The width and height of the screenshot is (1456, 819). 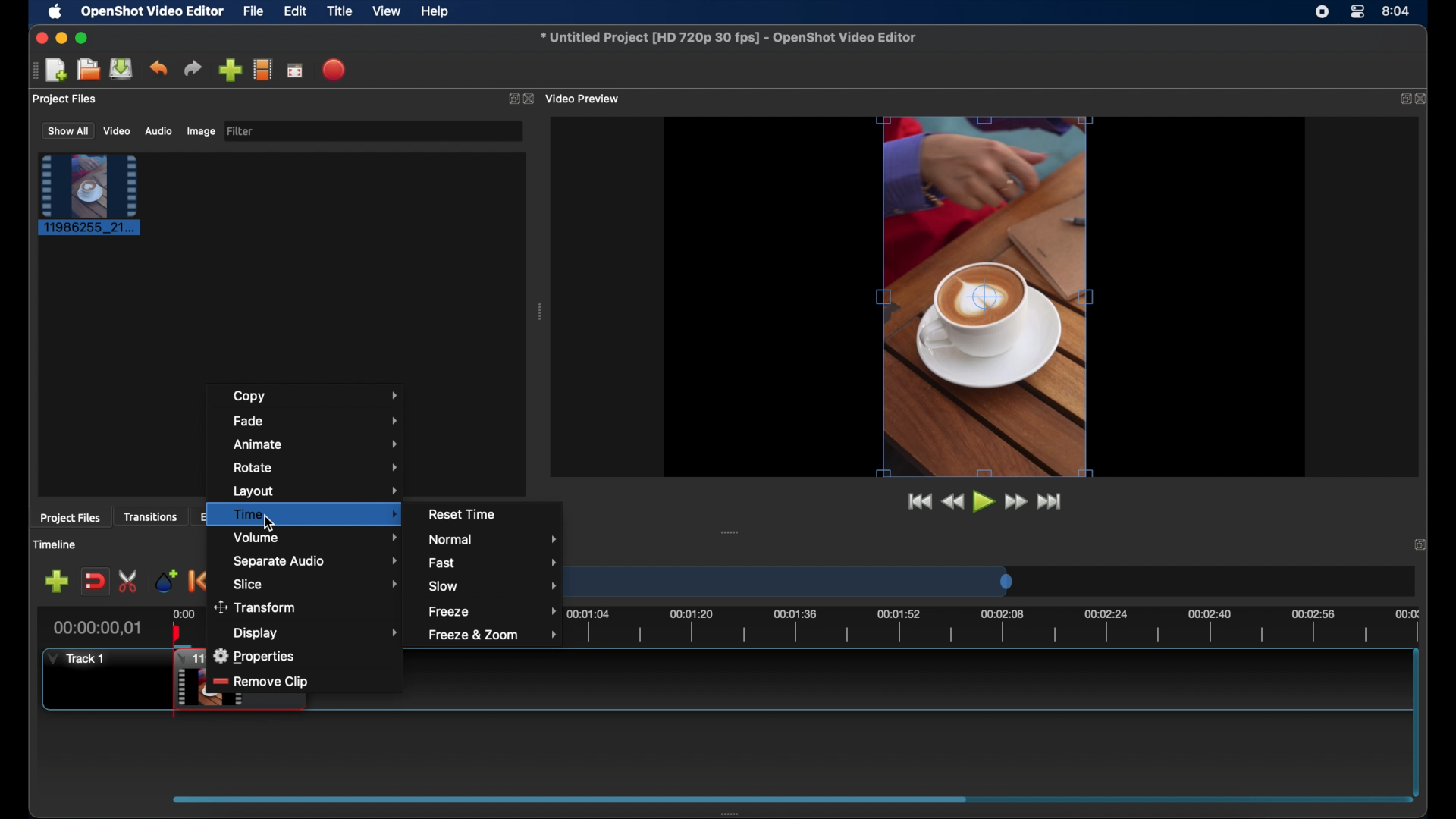 What do you see at coordinates (159, 68) in the screenshot?
I see `undo` at bounding box center [159, 68].